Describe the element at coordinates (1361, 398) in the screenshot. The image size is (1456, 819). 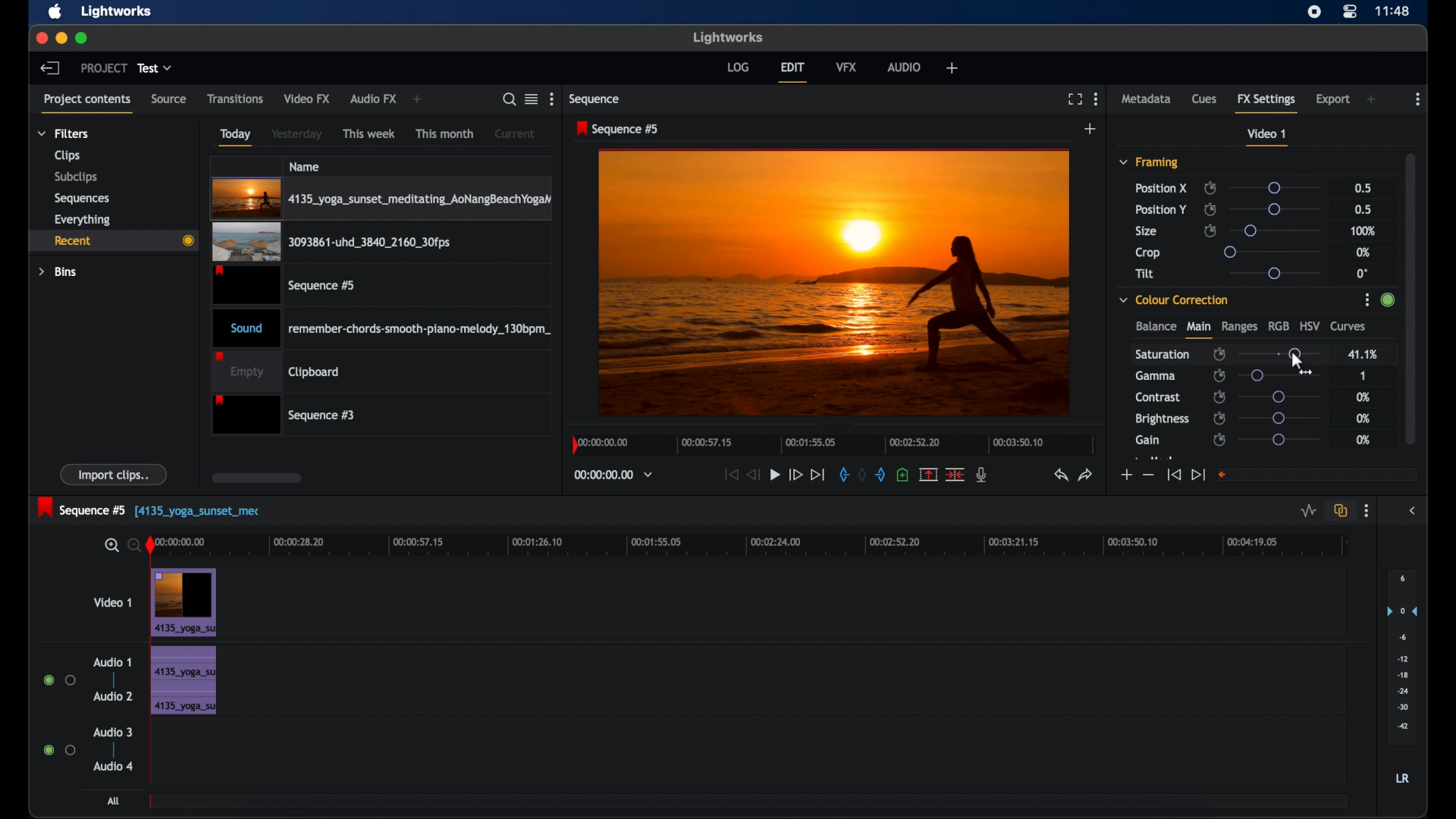
I see `0%` at that location.